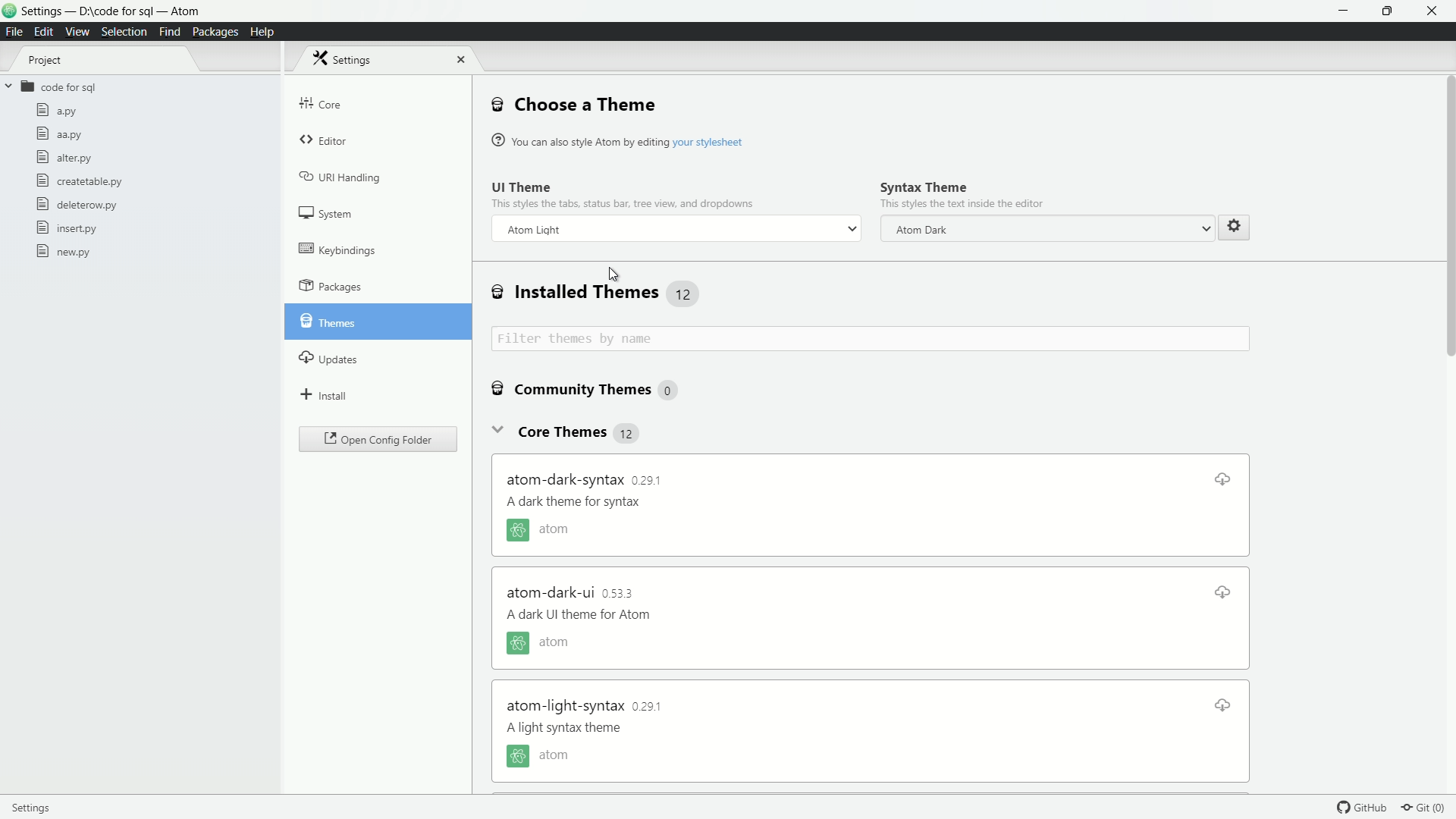  What do you see at coordinates (53, 61) in the screenshot?
I see `project tree` at bounding box center [53, 61].